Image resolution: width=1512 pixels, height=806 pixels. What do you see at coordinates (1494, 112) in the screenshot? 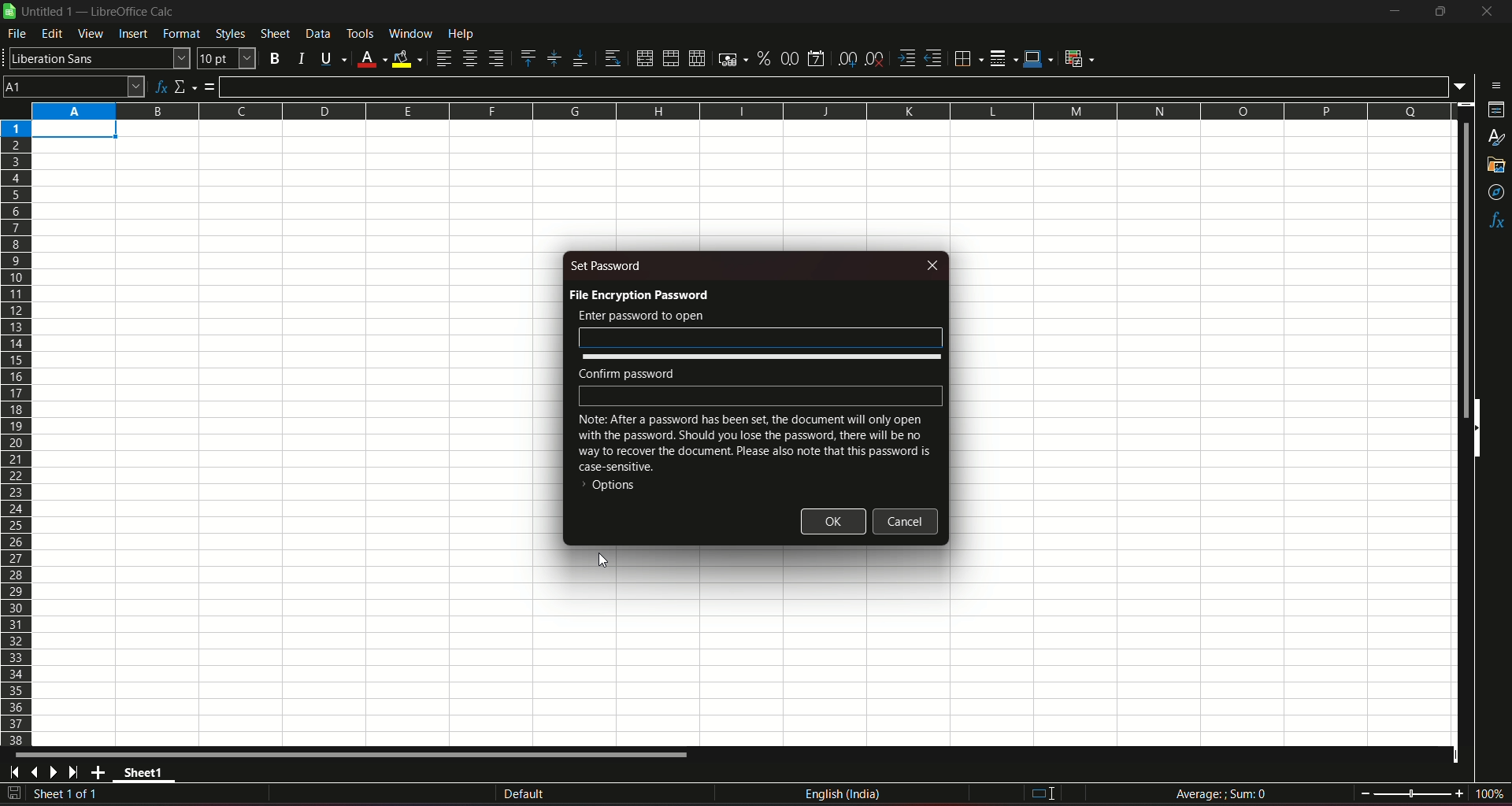
I see `properties` at bounding box center [1494, 112].